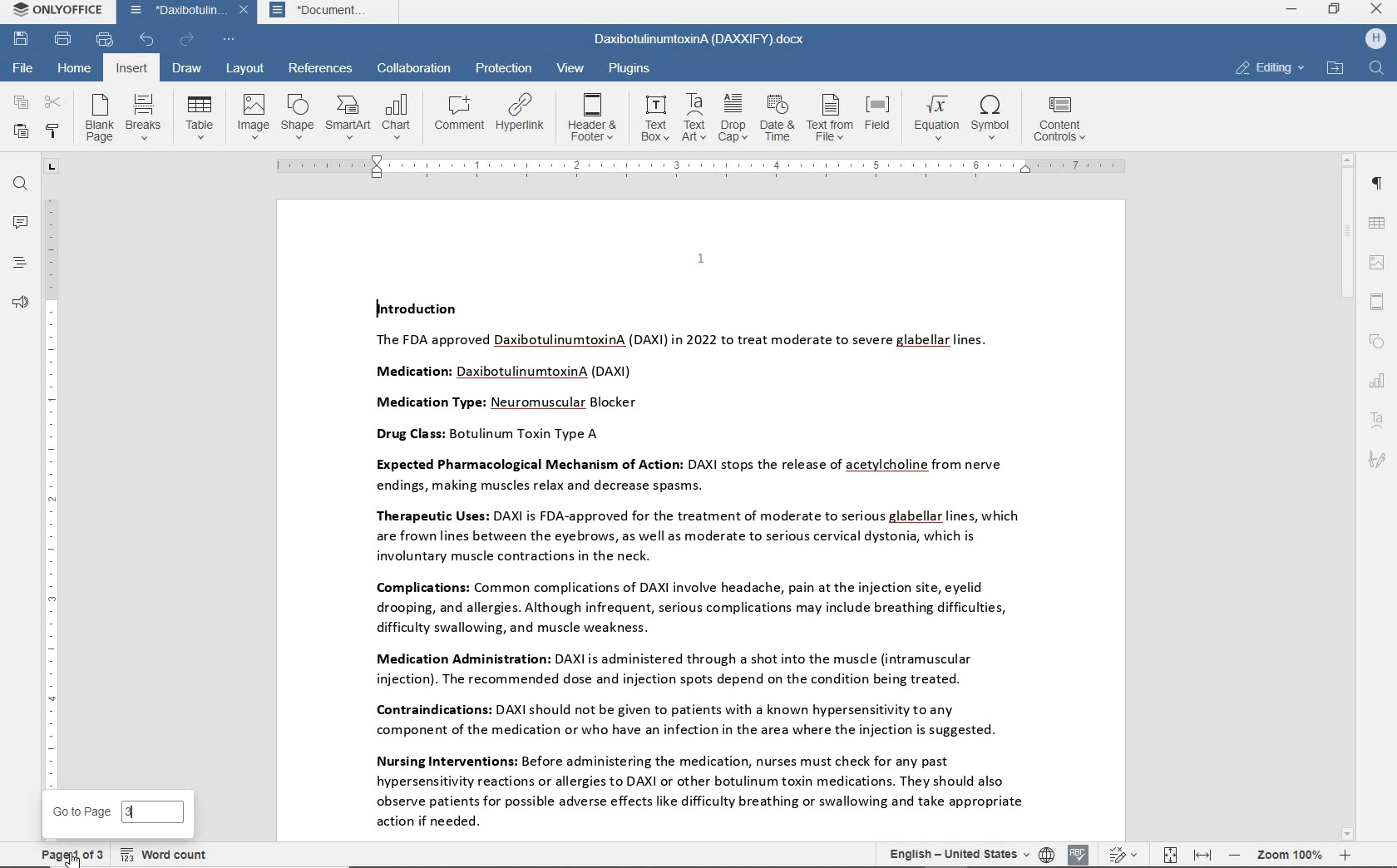 The height and width of the screenshot is (868, 1397). What do you see at coordinates (415, 68) in the screenshot?
I see `collaboration` at bounding box center [415, 68].